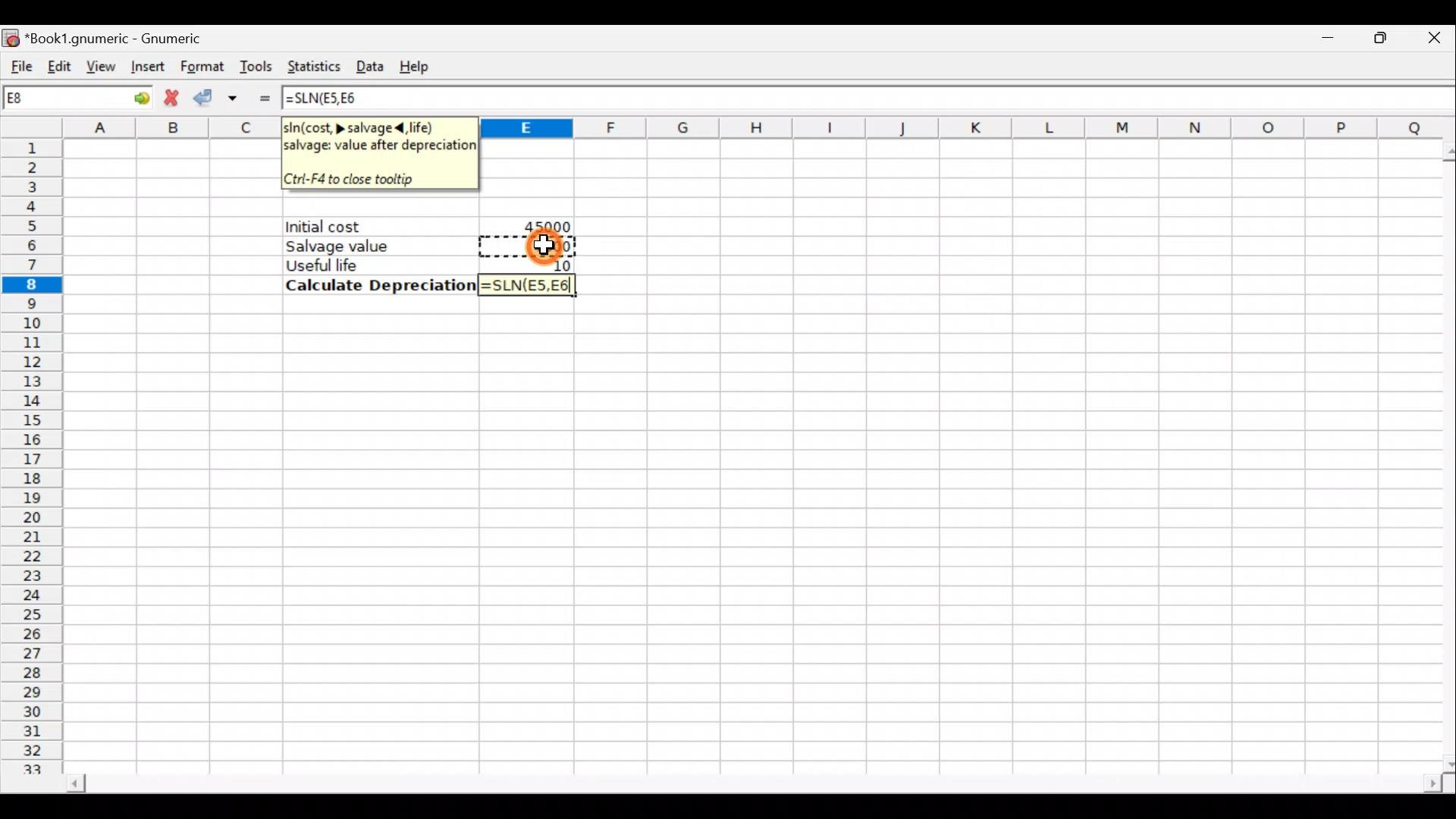 This screenshot has width=1456, height=819. Describe the element at coordinates (1325, 42) in the screenshot. I see `Minimize` at that location.